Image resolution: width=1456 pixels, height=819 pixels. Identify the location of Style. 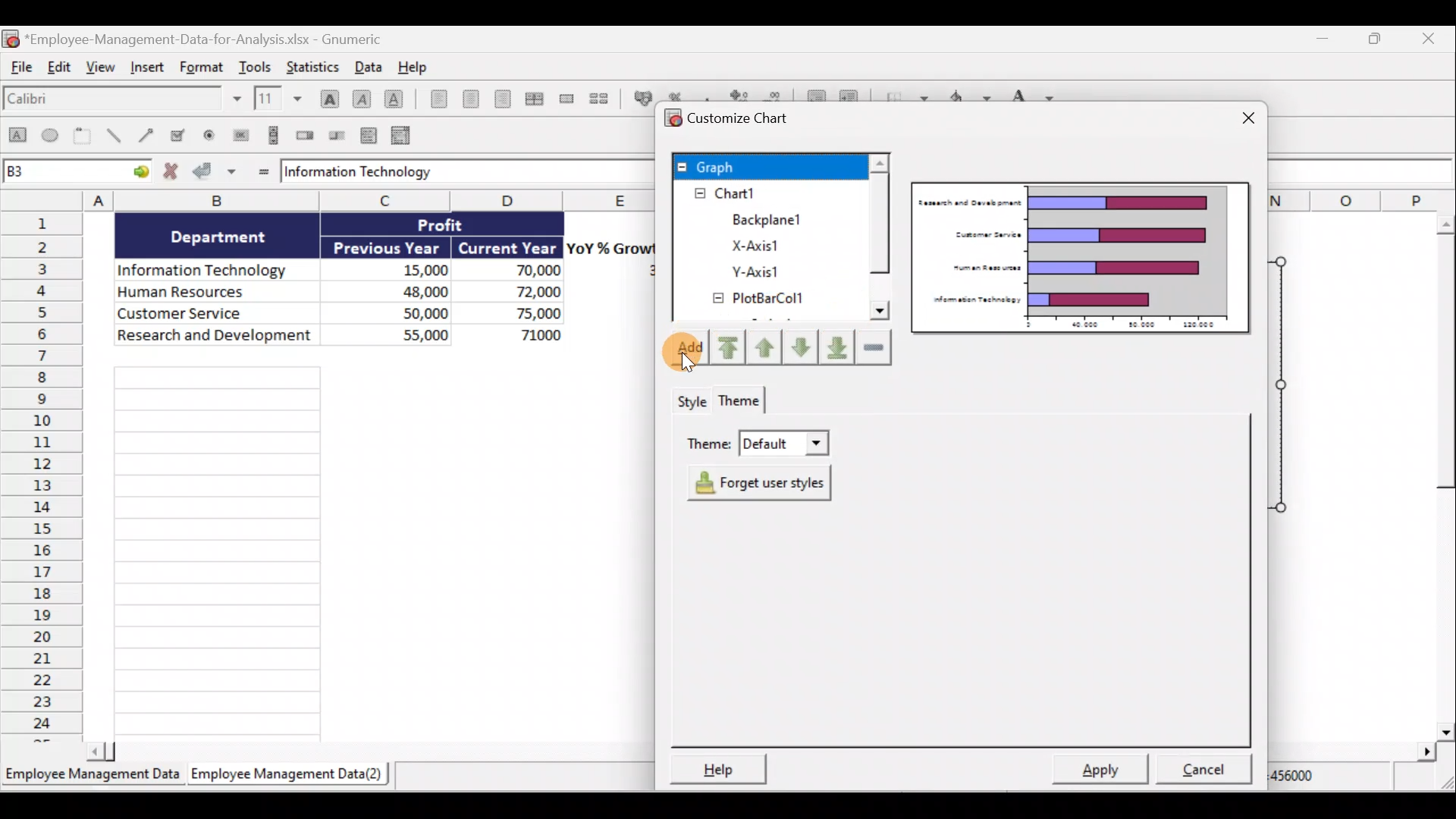
(691, 400).